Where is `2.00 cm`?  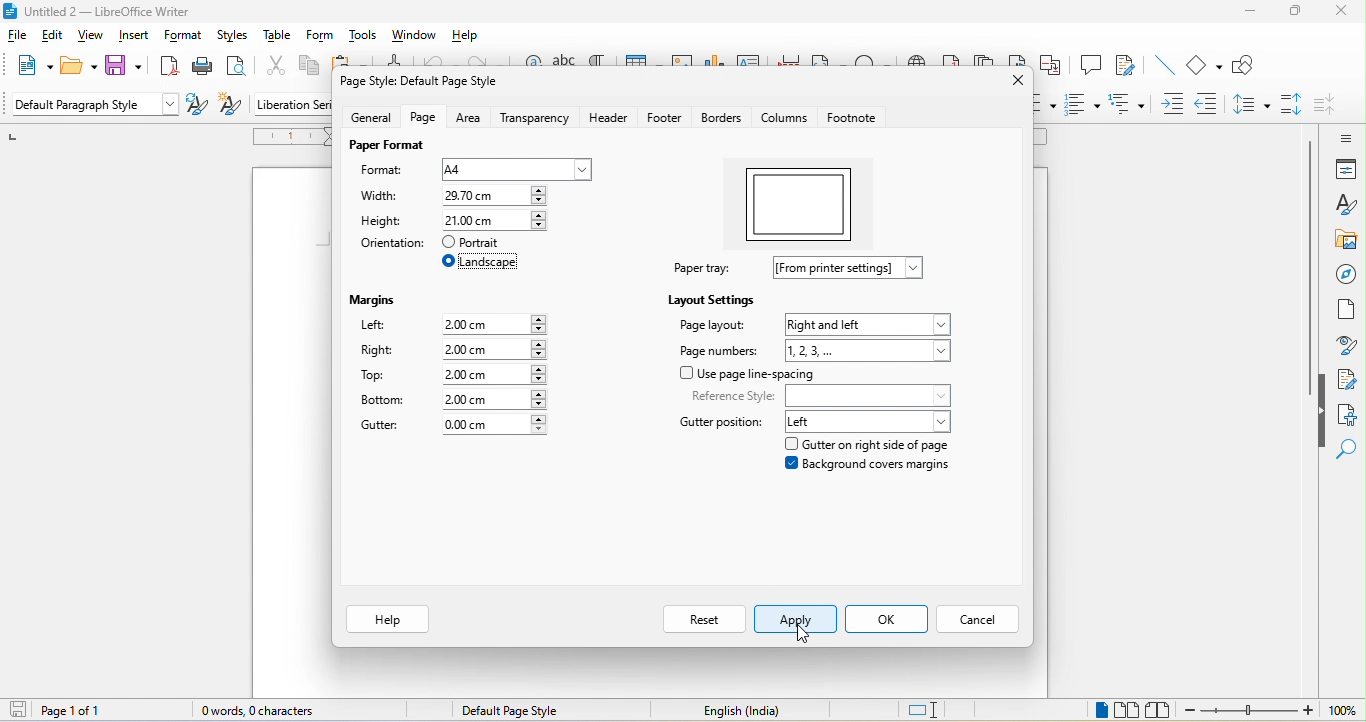 2.00 cm is located at coordinates (496, 324).